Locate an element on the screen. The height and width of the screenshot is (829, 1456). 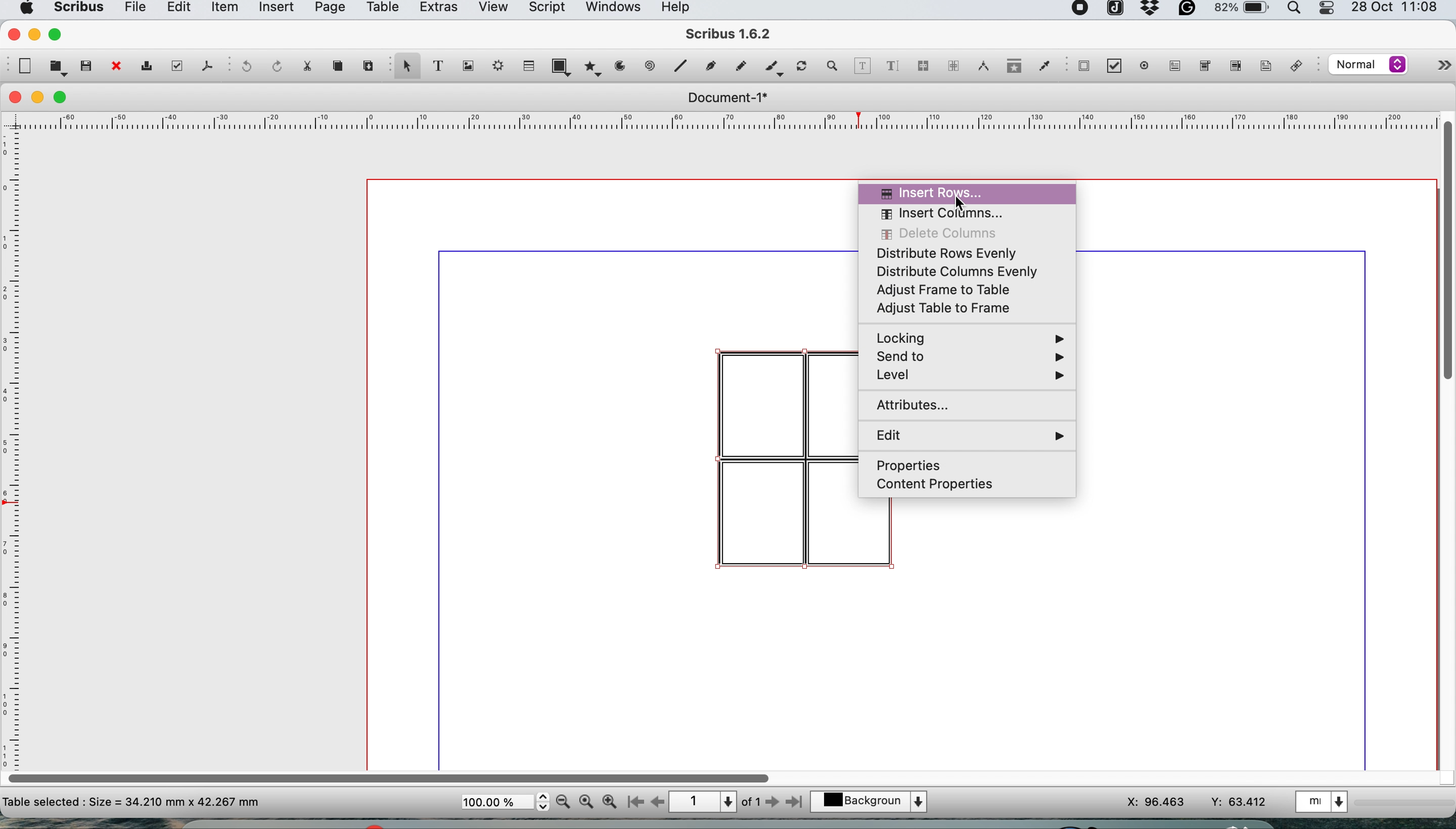
insert columns is located at coordinates (941, 215).